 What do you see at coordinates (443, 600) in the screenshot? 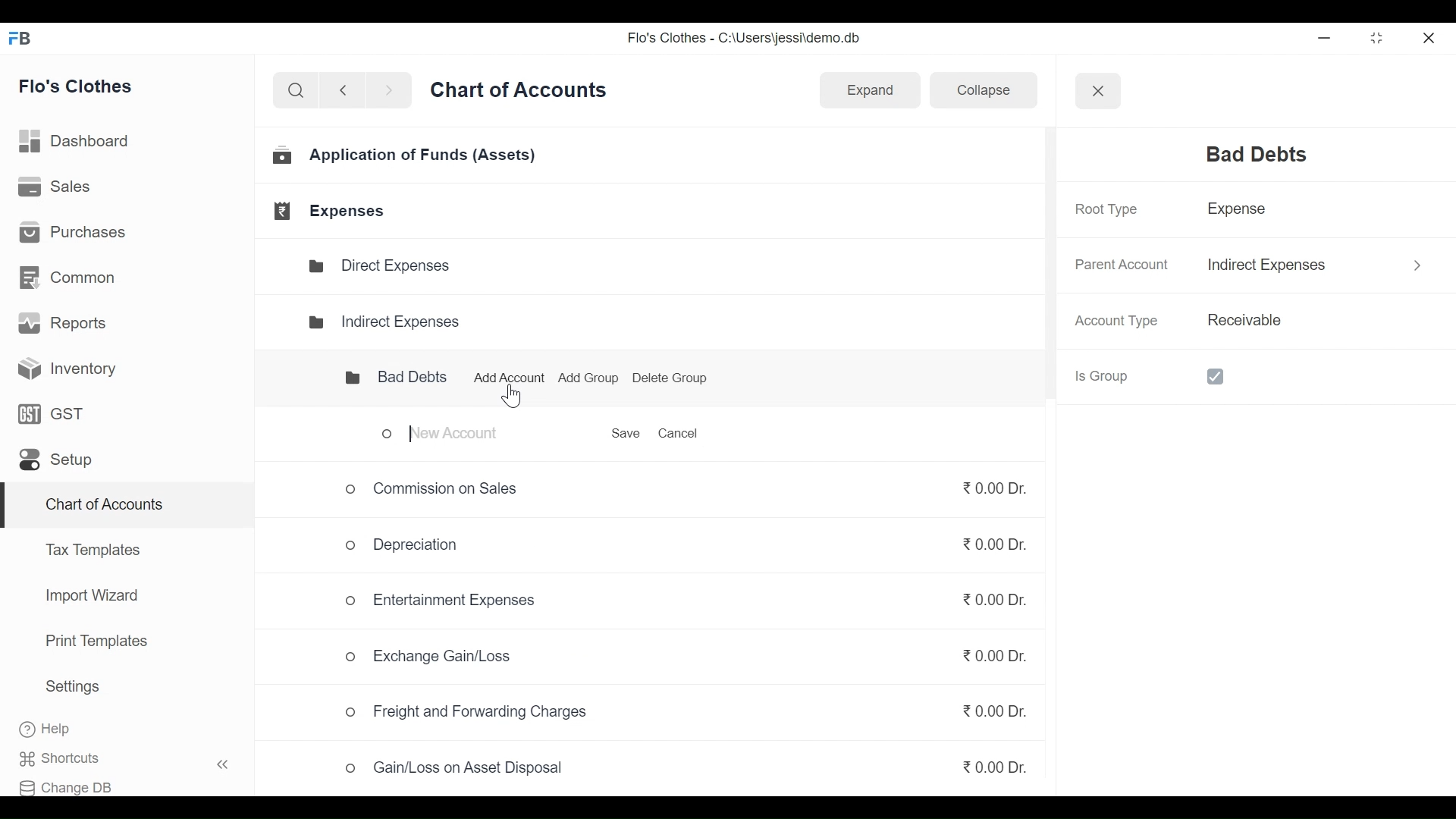
I see `Entertainment Expenses` at bounding box center [443, 600].